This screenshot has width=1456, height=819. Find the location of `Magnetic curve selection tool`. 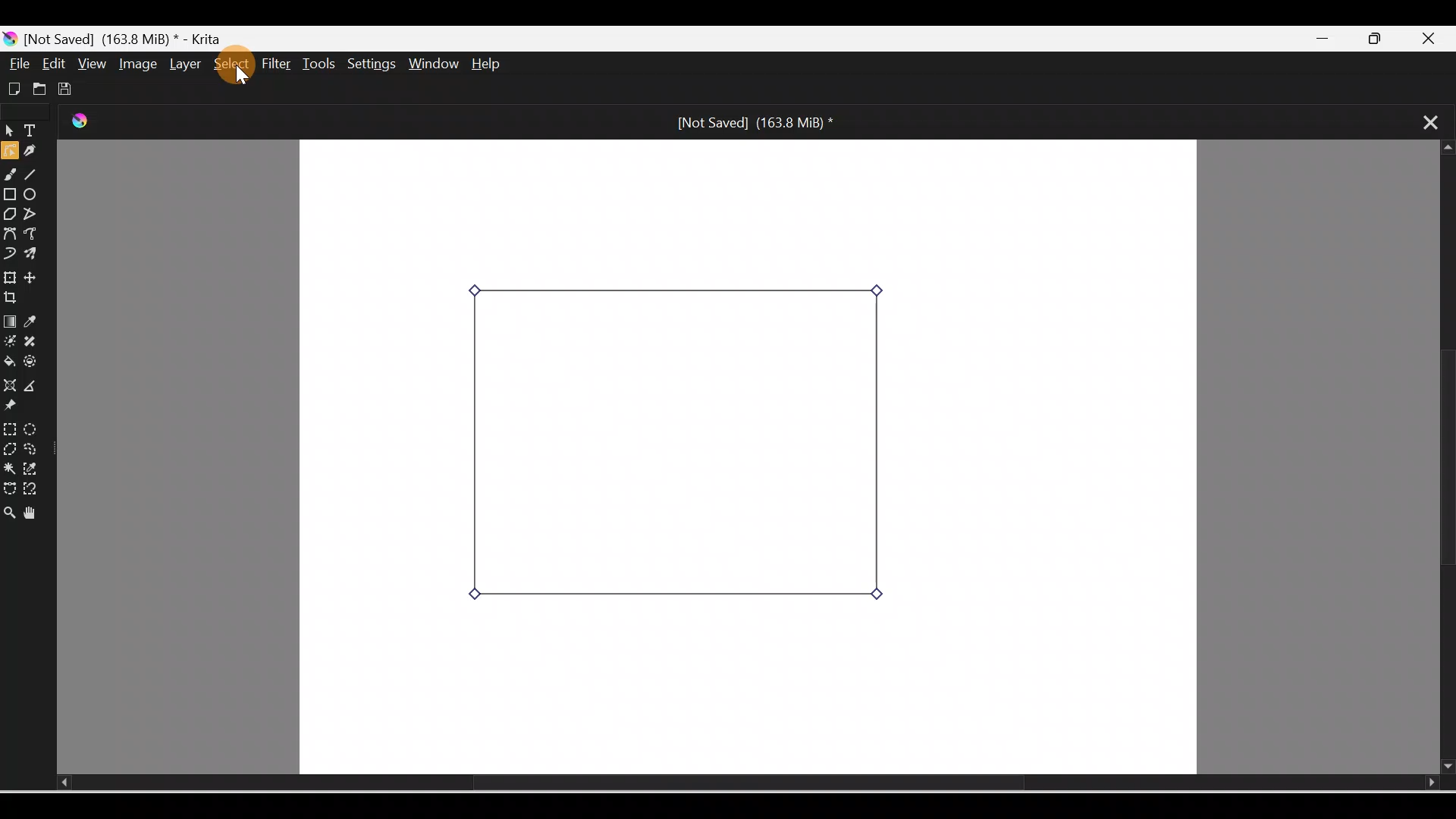

Magnetic curve selection tool is located at coordinates (35, 490).